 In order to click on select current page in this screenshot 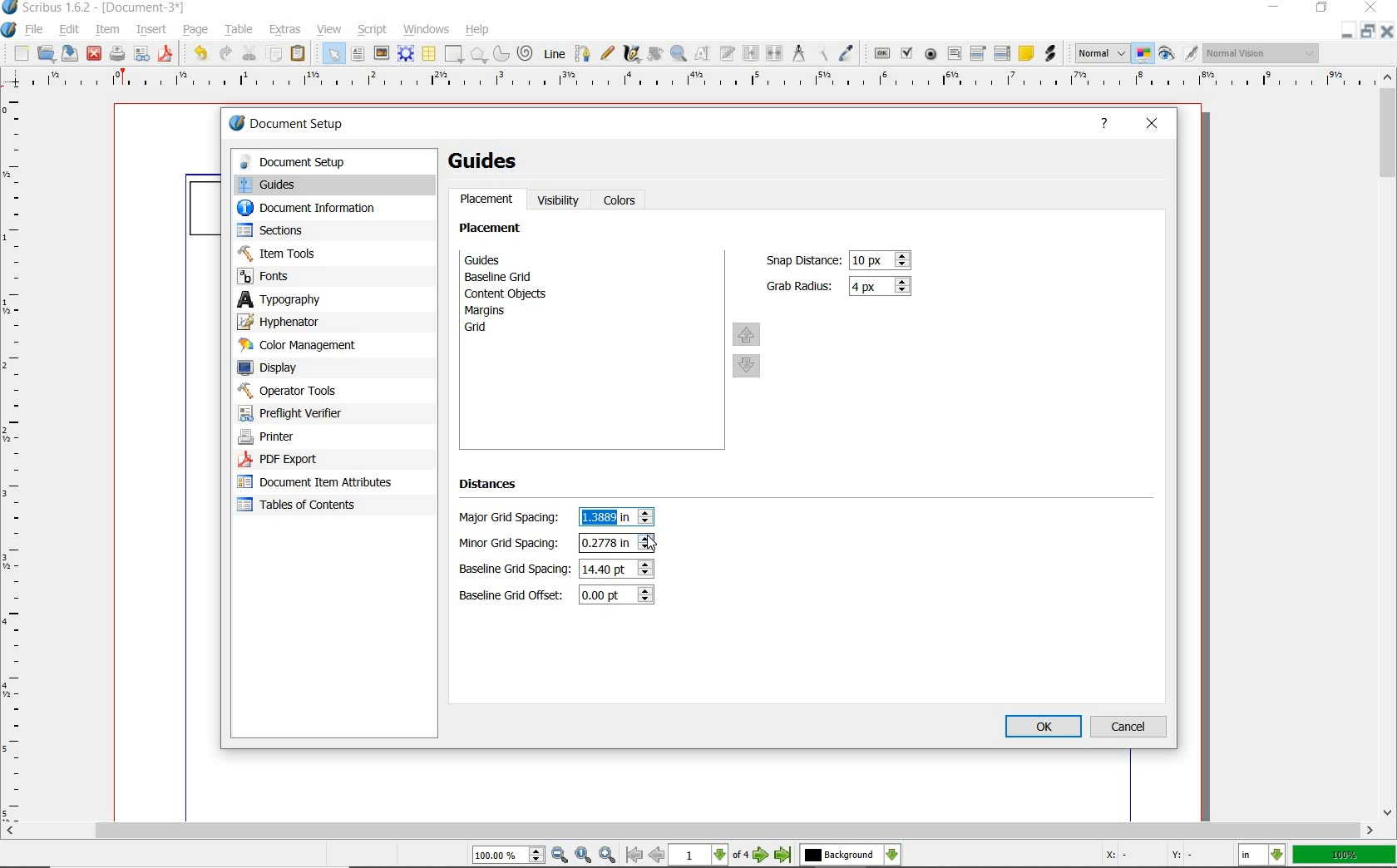, I will do `click(711, 856)`.